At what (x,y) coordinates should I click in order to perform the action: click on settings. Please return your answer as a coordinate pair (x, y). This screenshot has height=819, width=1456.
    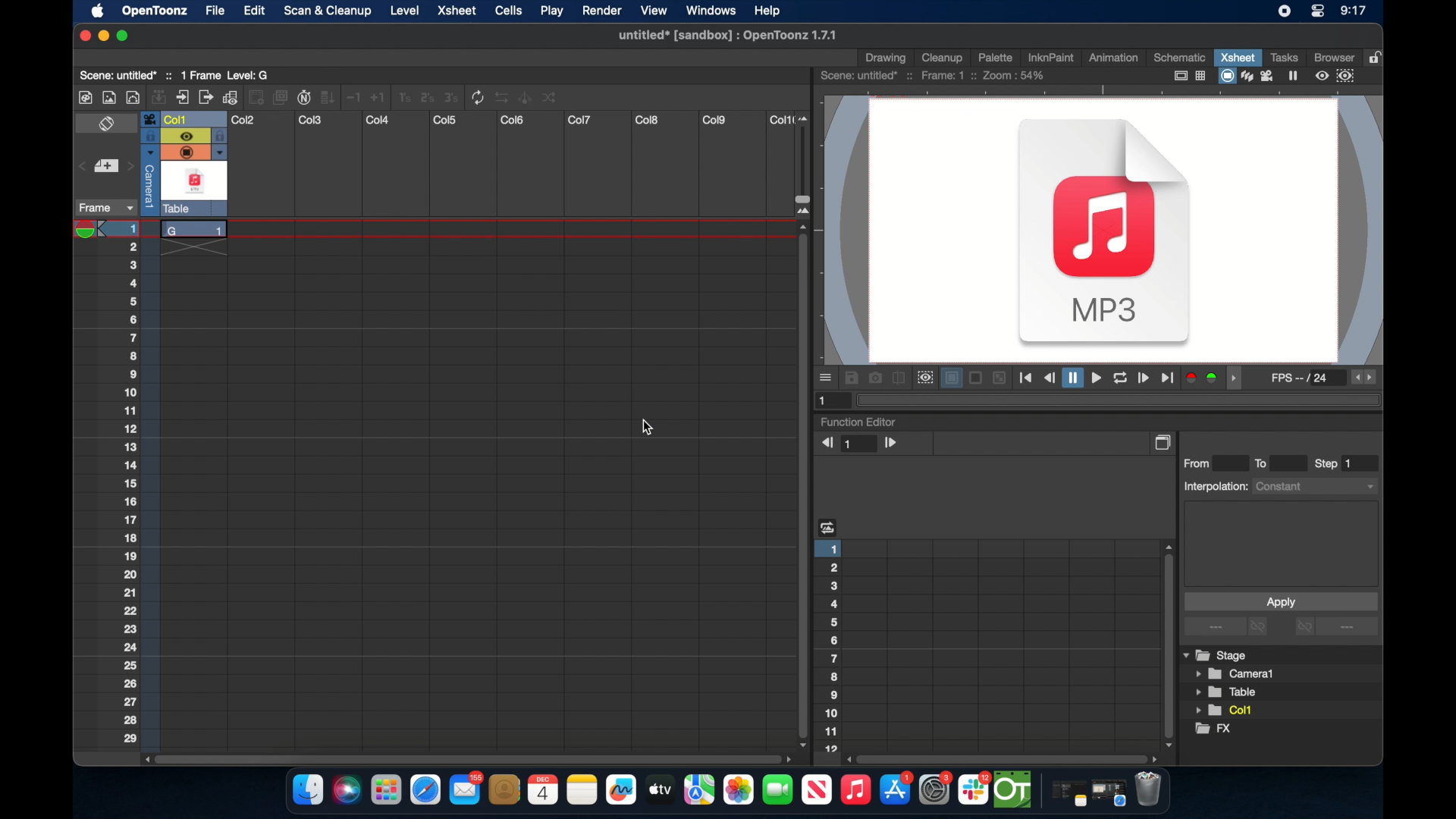
    Looking at the image, I should click on (937, 789).